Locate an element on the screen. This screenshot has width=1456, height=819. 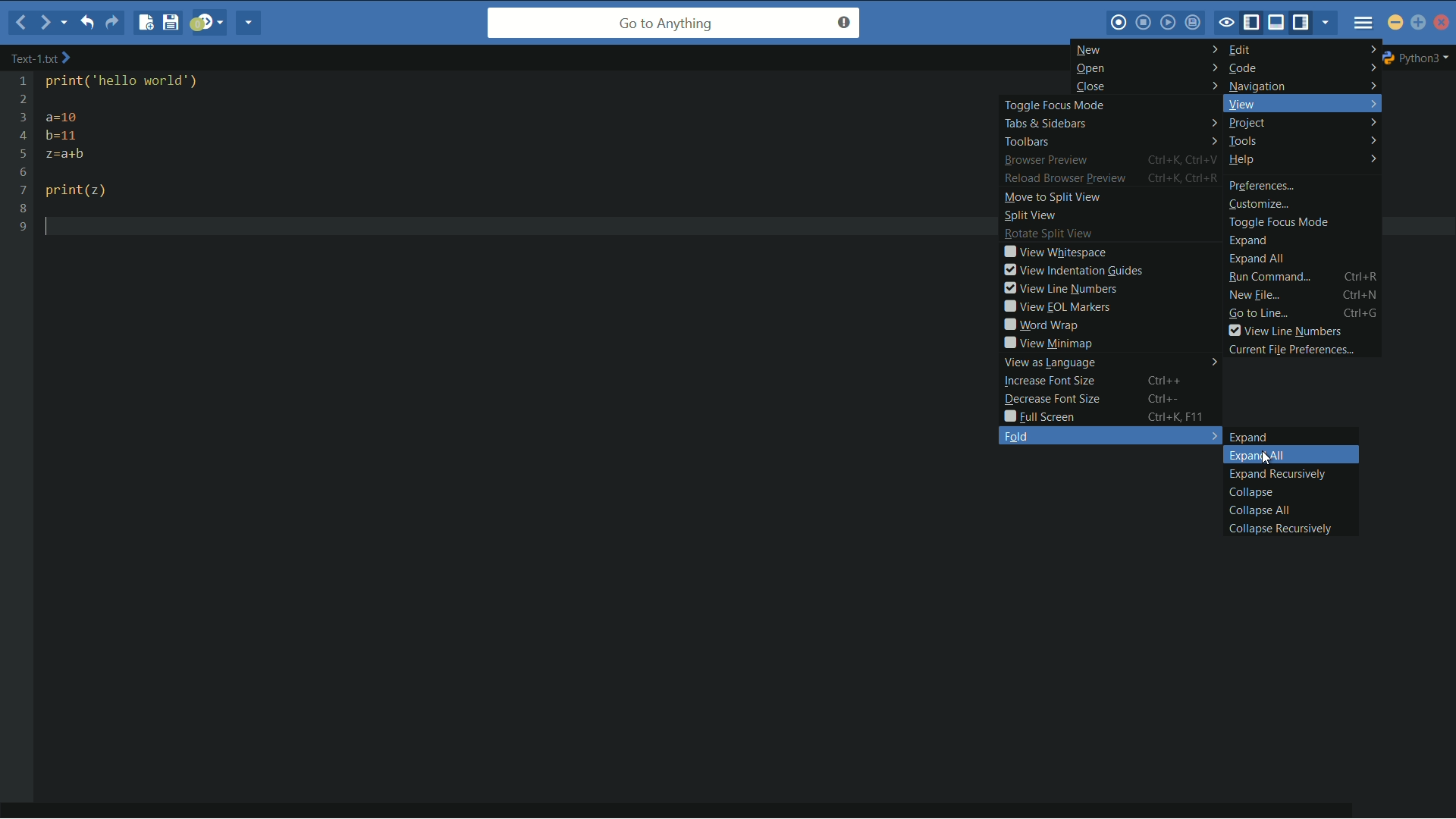
undo is located at coordinates (91, 23).